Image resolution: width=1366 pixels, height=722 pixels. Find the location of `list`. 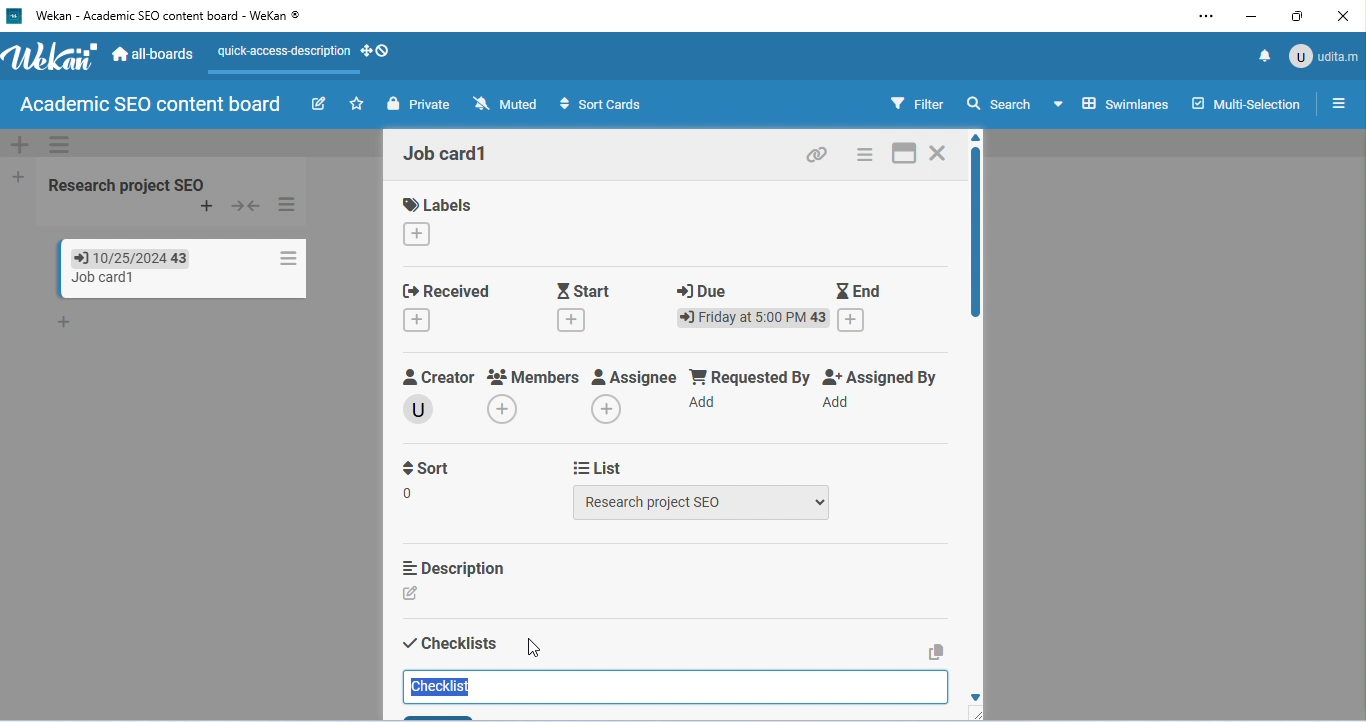

list is located at coordinates (600, 466).